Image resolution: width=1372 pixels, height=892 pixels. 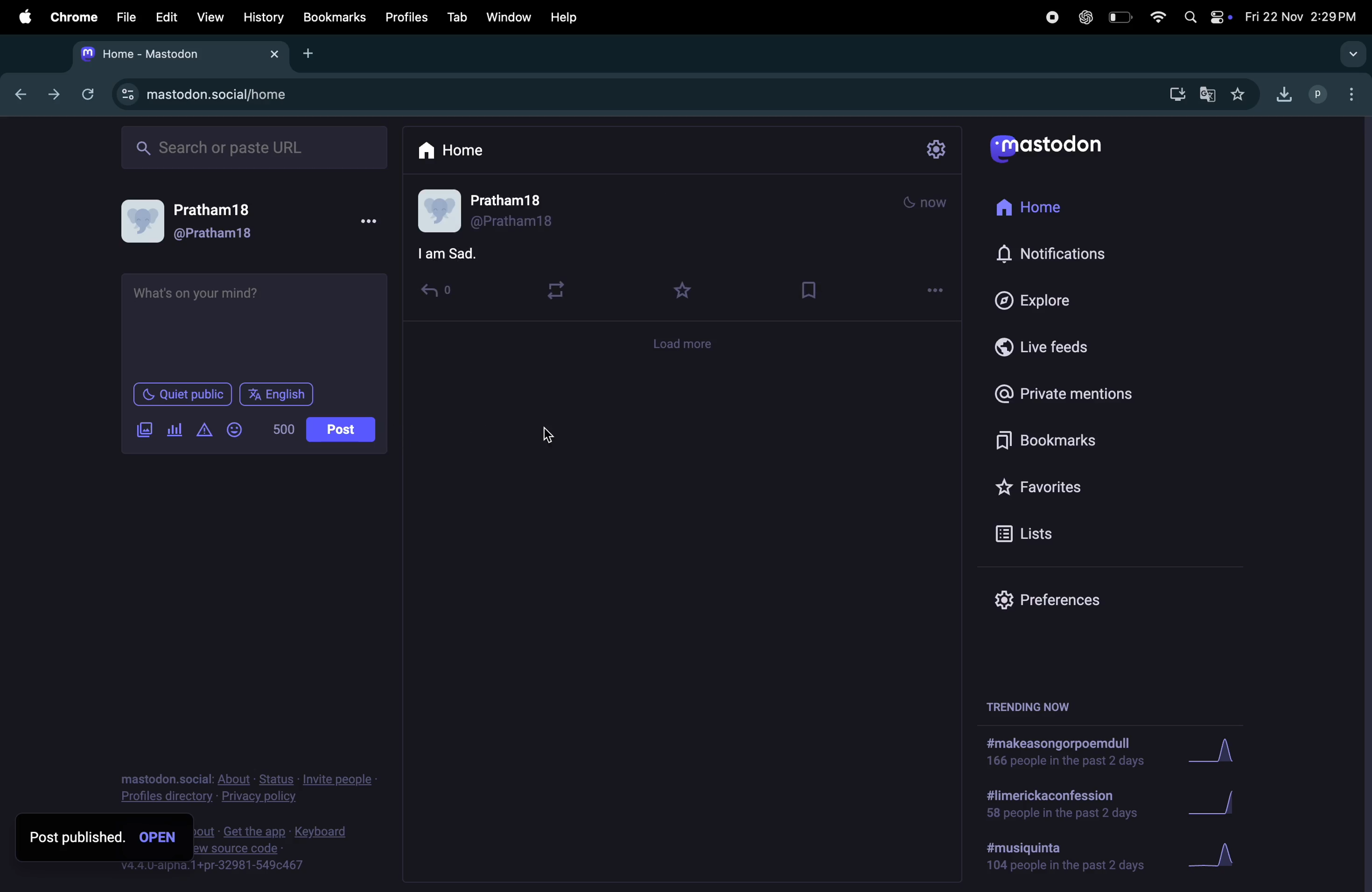 I want to click on options, so click(x=1350, y=95).